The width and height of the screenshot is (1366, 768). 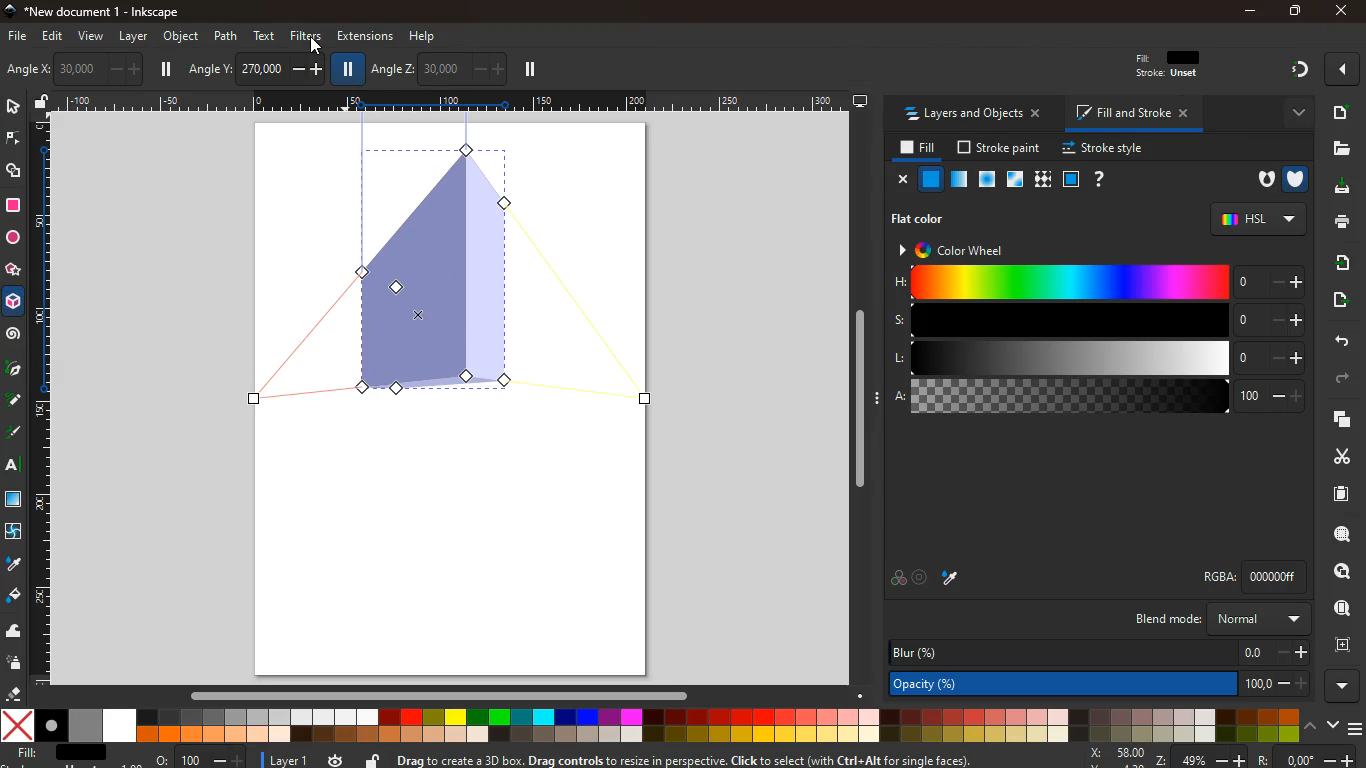 What do you see at coordinates (349, 70) in the screenshot?
I see `pause` at bounding box center [349, 70].